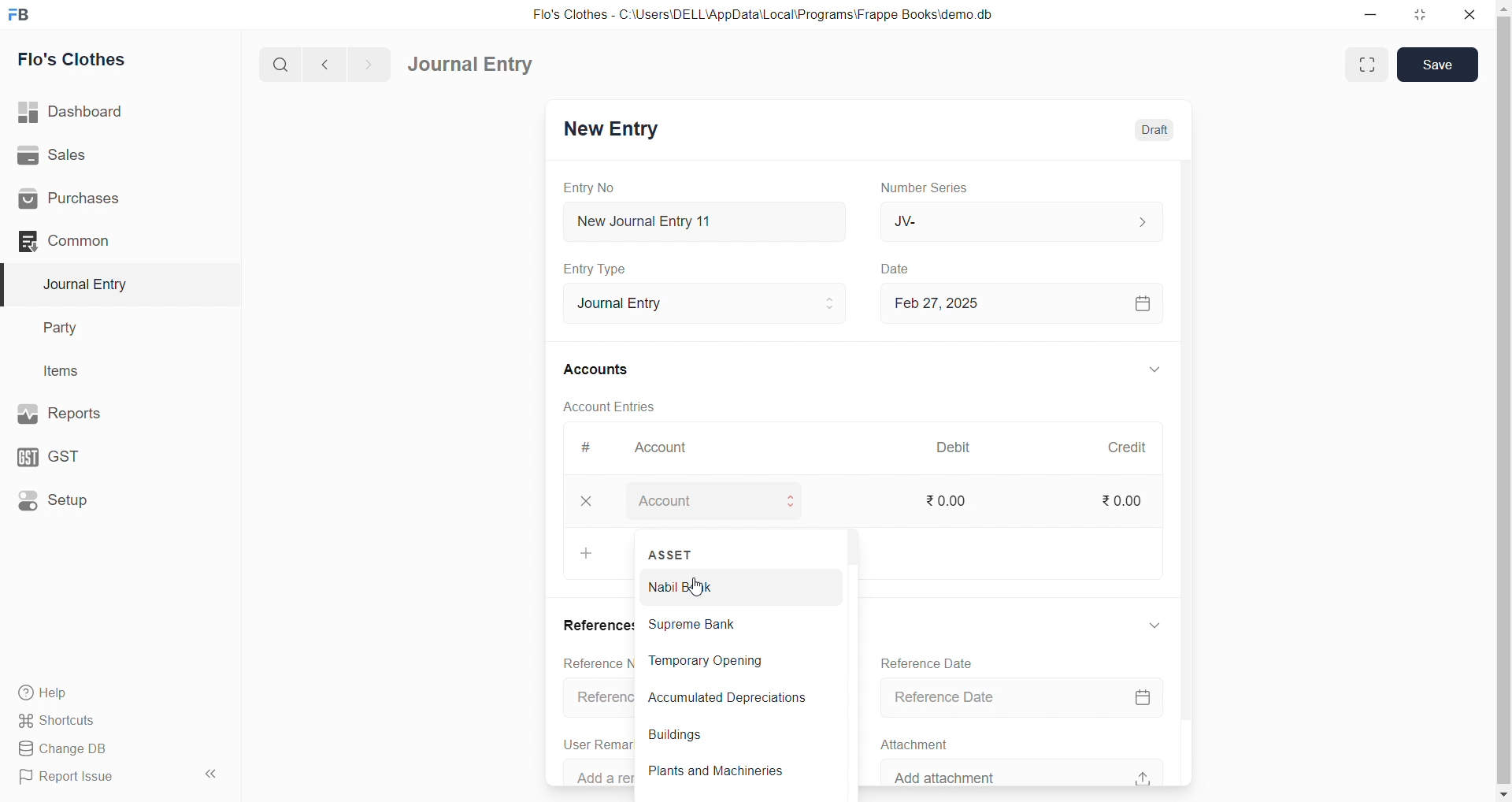 This screenshot has height=802, width=1512. Describe the element at coordinates (70, 326) in the screenshot. I see `Party` at that location.